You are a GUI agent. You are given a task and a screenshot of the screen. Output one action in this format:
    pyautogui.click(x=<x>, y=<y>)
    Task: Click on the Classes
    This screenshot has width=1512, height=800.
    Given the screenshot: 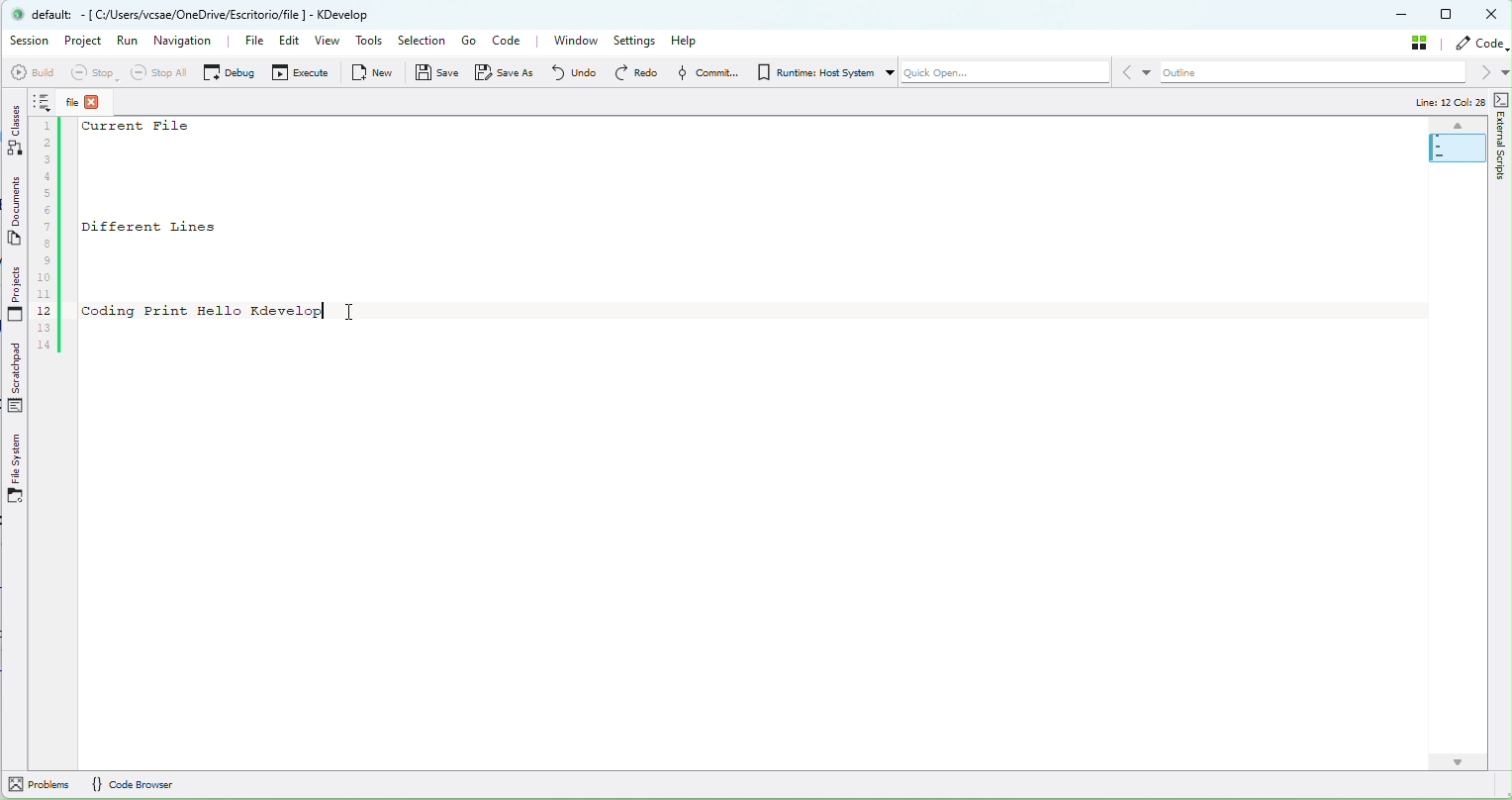 What is the action you would take?
    pyautogui.click(x=16, y=129)
    